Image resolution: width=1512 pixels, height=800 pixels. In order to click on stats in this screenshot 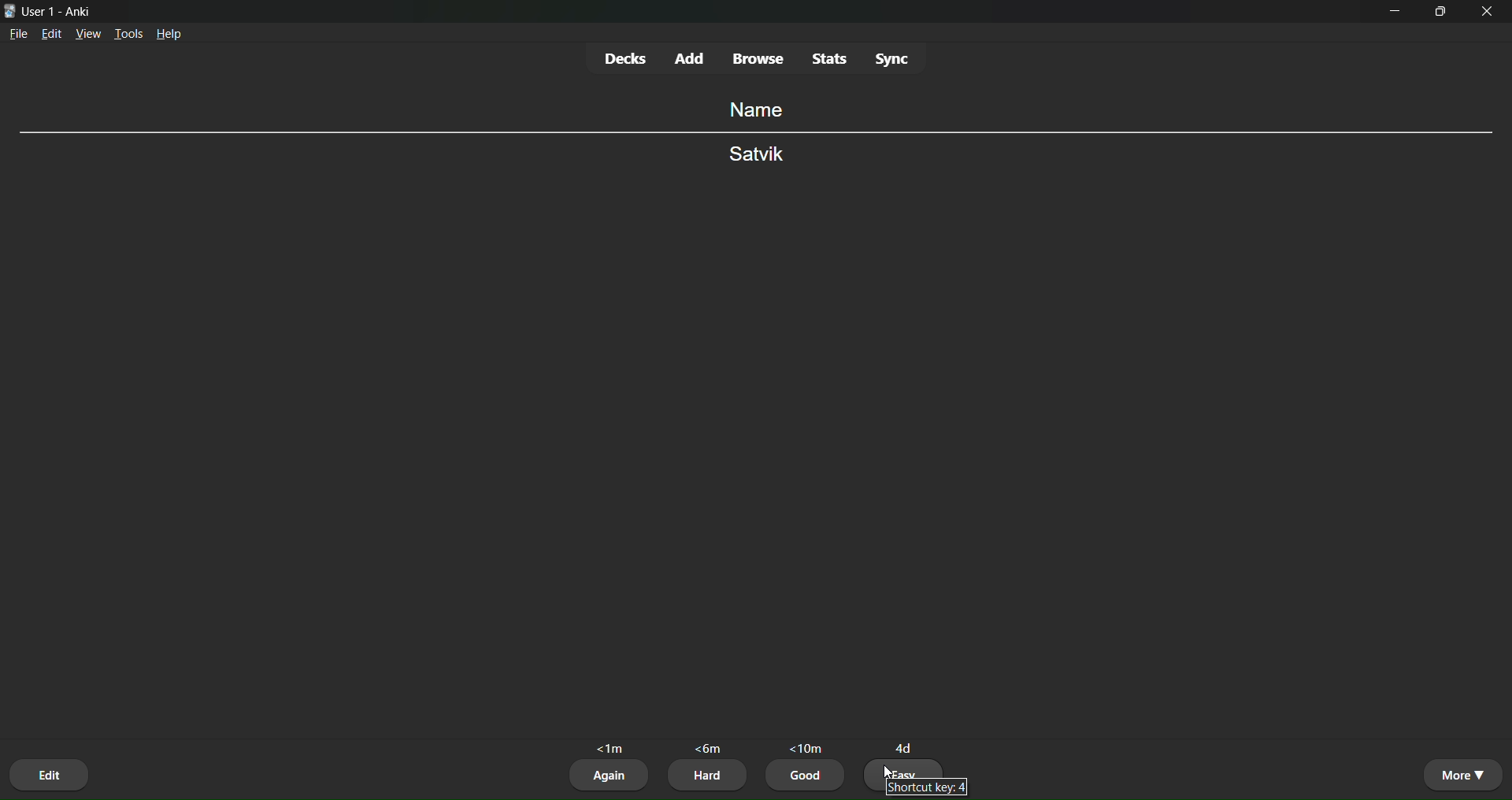, I will do `click(828, 57)`.